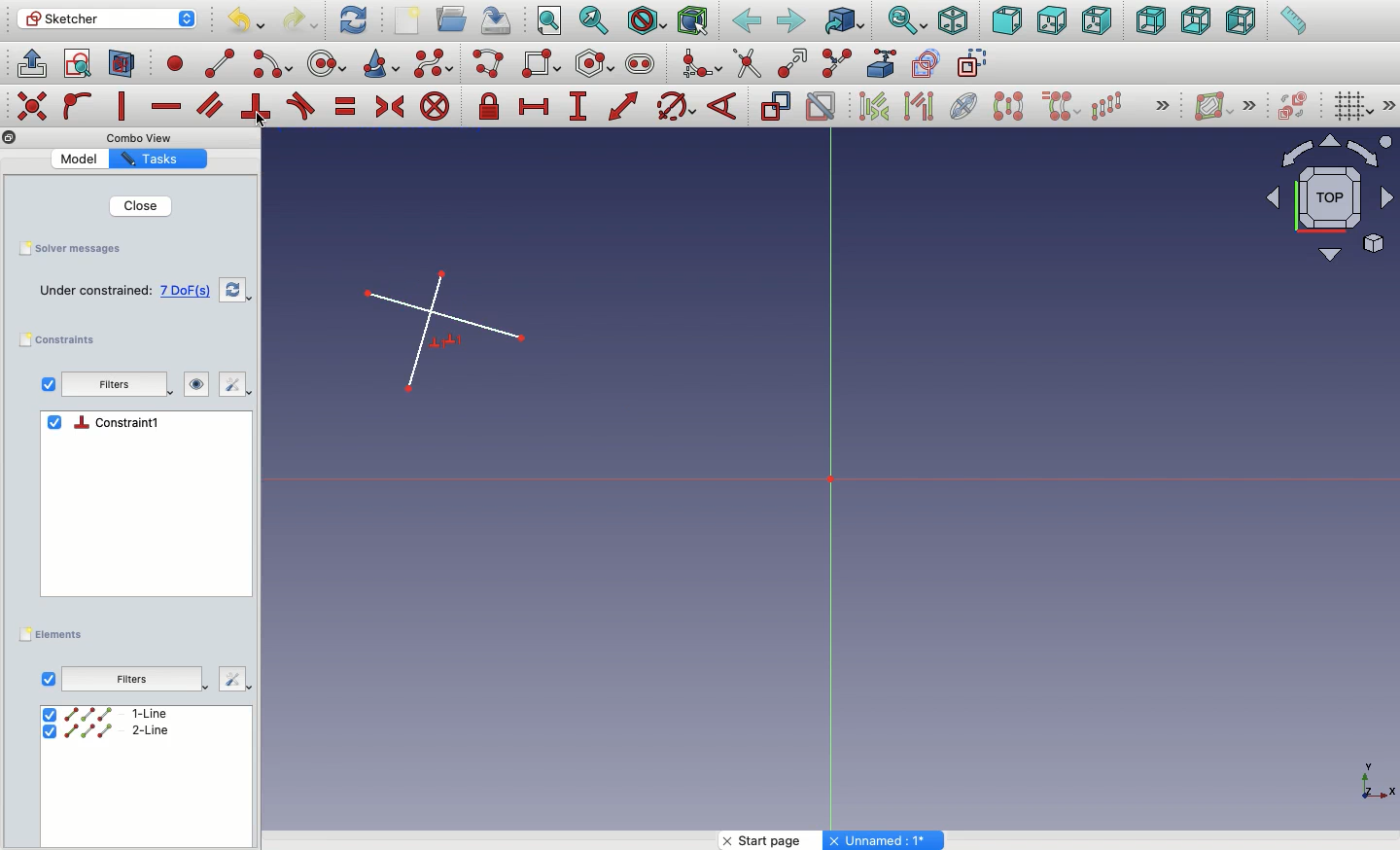  Describe the element at coordinates (301, 20) in the screenshot. I see `Redo` at that location.